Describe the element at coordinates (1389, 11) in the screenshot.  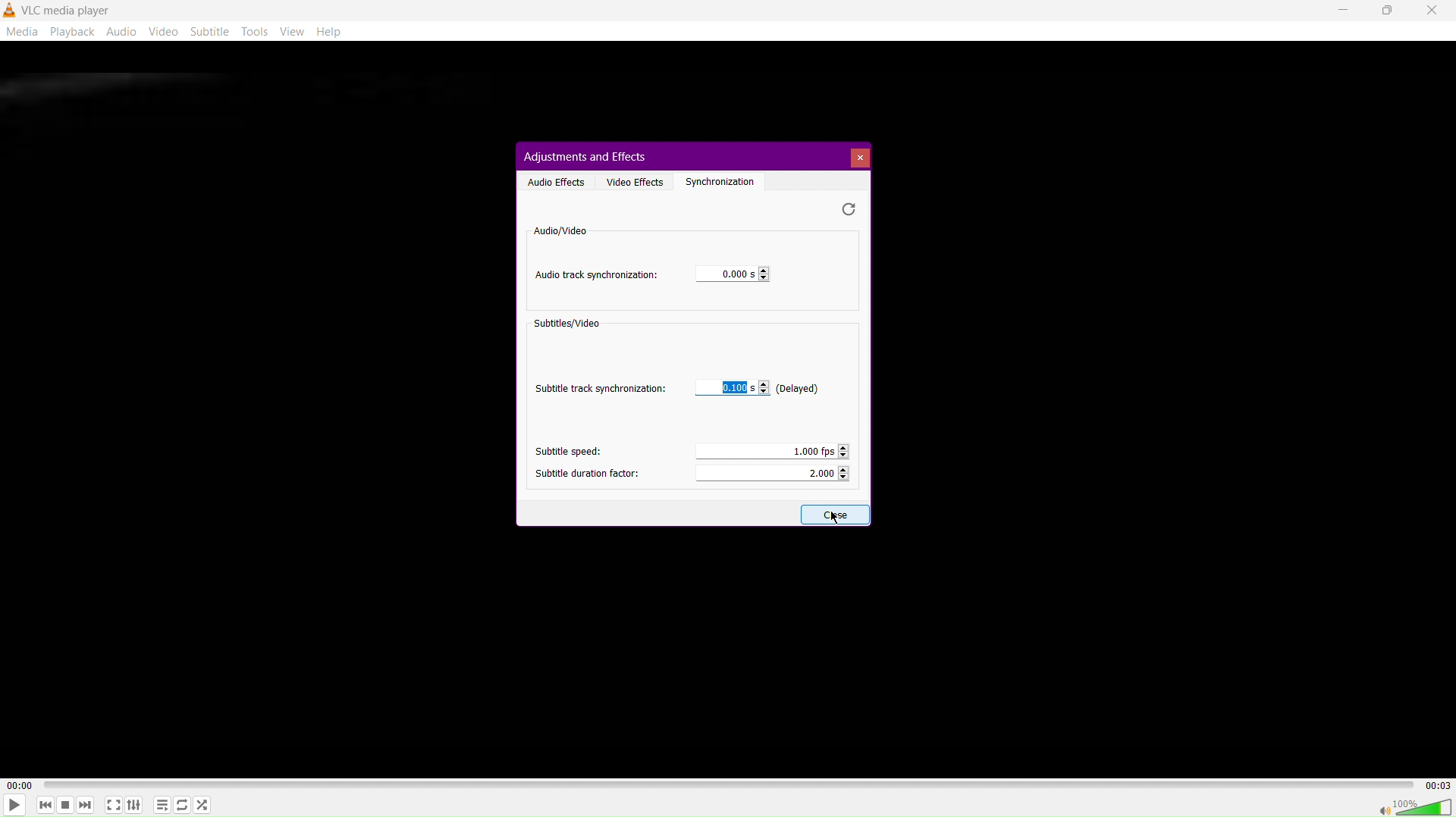
I see `Maximize` at that location.